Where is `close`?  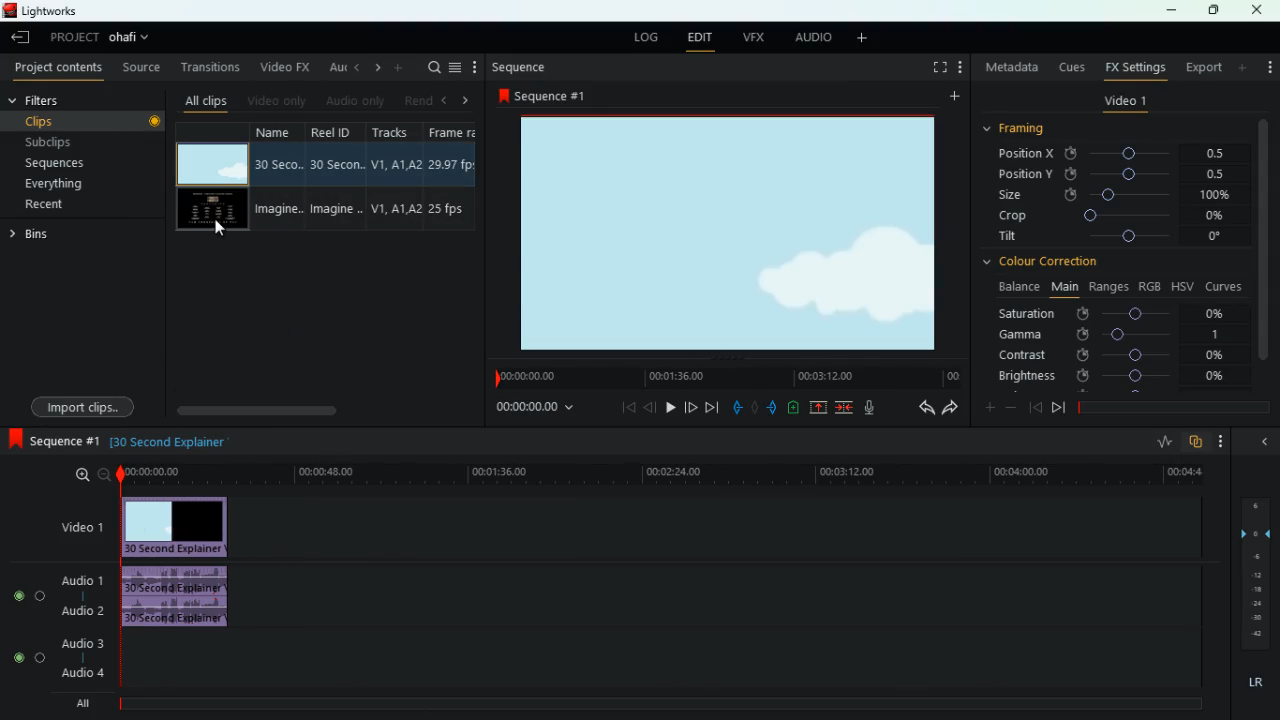
close is located at coordinates (1258, 10).